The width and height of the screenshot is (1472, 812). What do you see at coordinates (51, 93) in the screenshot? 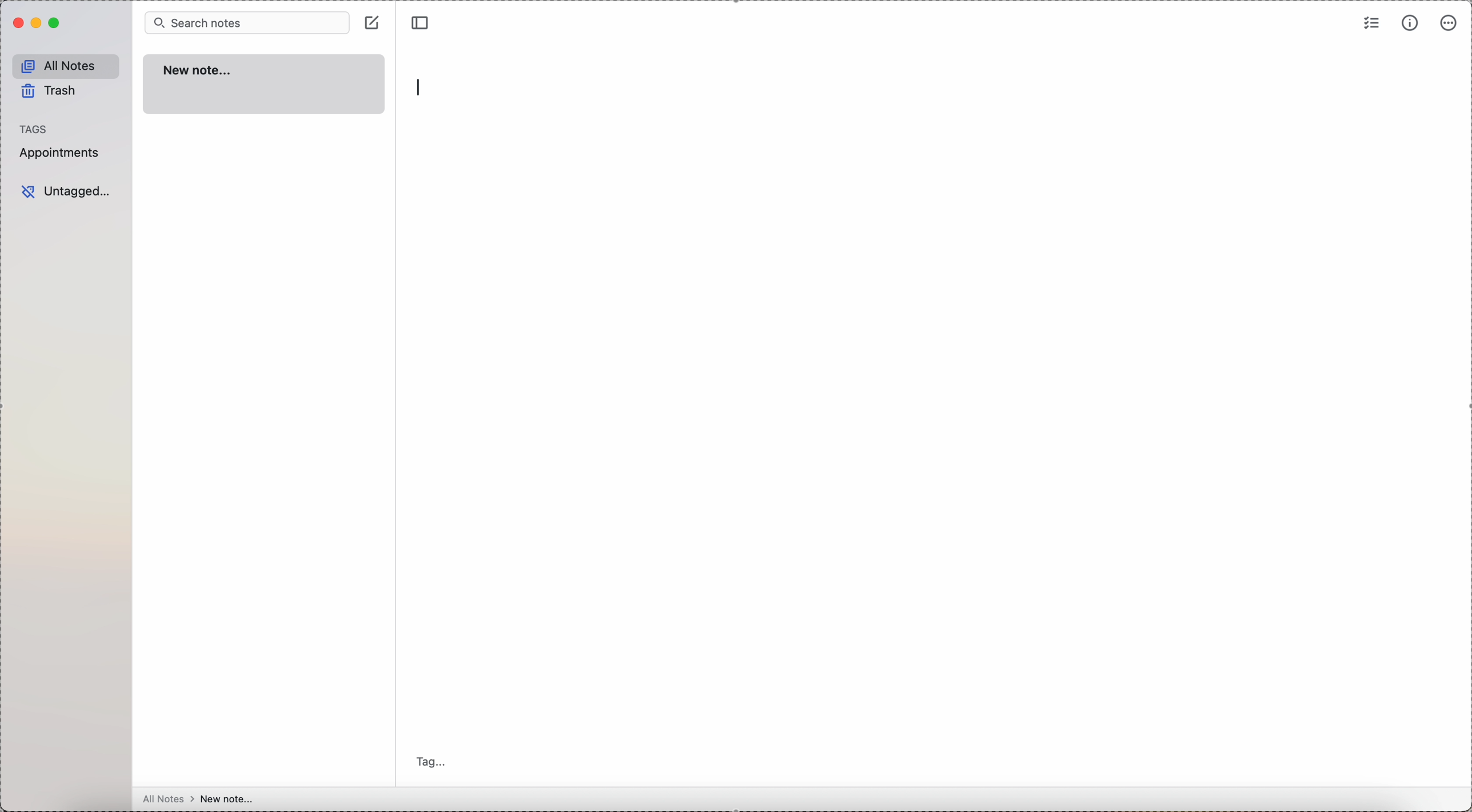
I see `trash` at bounding box center [51, 93].